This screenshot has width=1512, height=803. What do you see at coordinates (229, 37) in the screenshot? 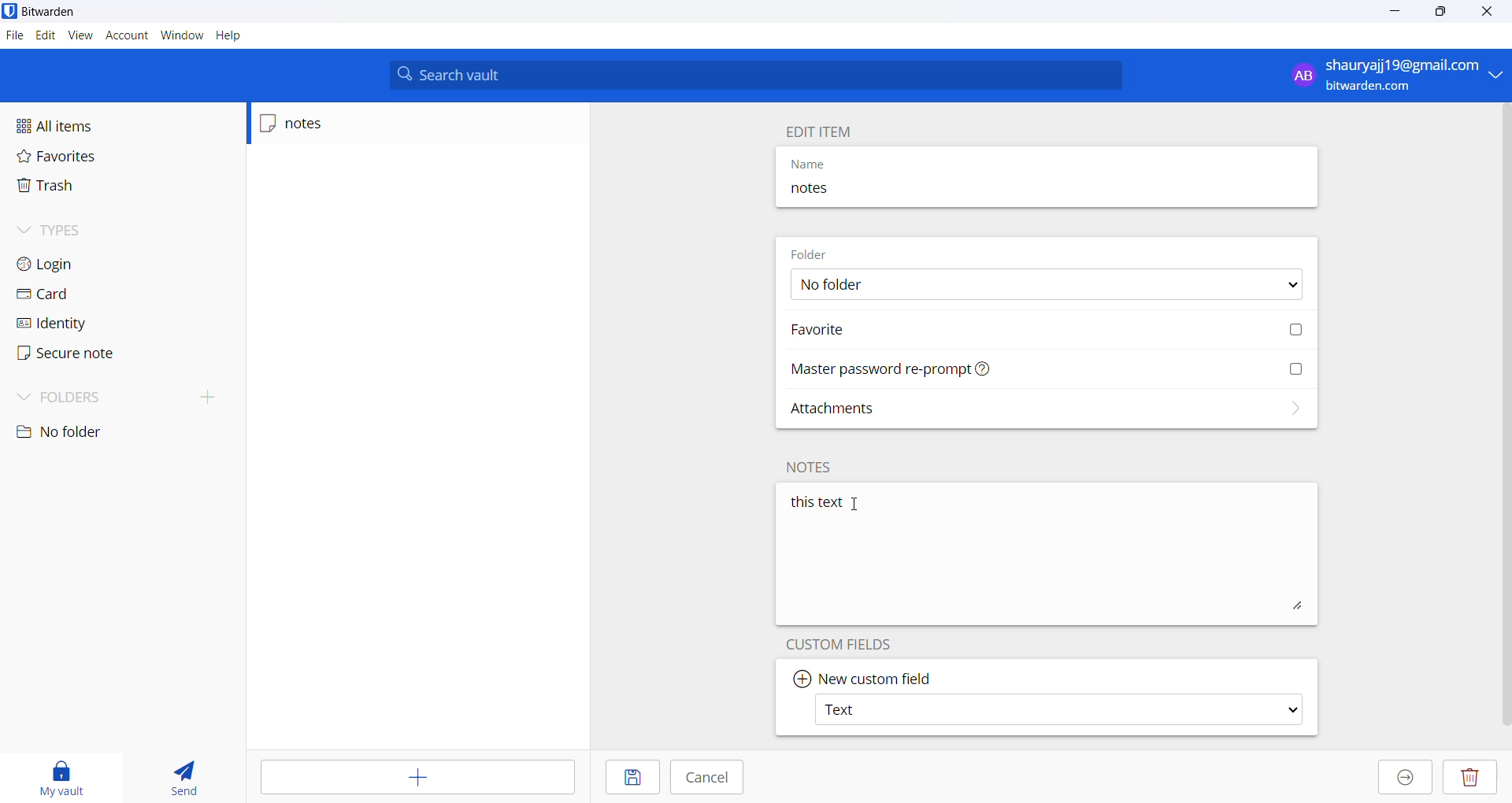
I see `help` at bounding box center [229, 37].